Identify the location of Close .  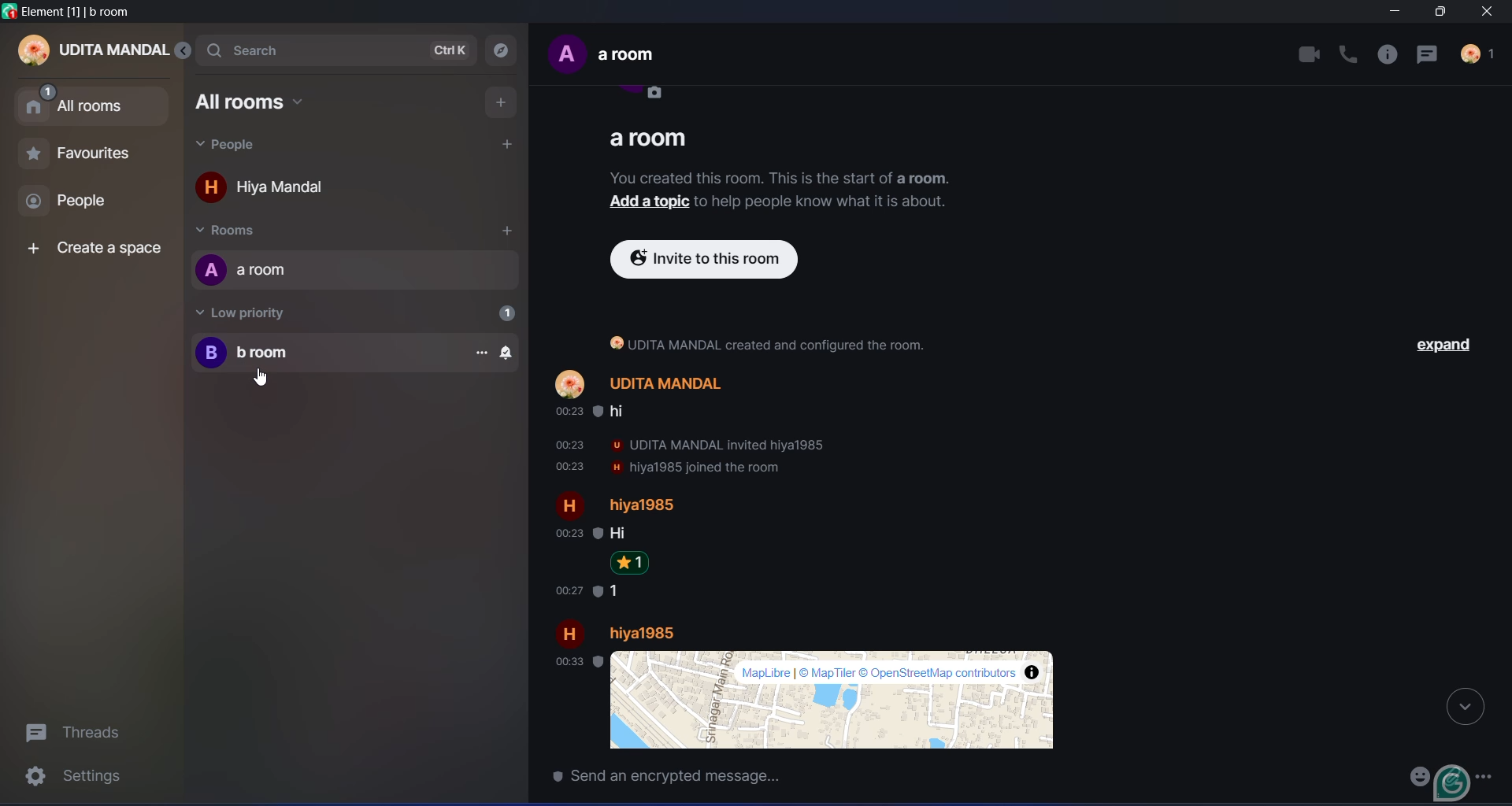
(1492, 13).